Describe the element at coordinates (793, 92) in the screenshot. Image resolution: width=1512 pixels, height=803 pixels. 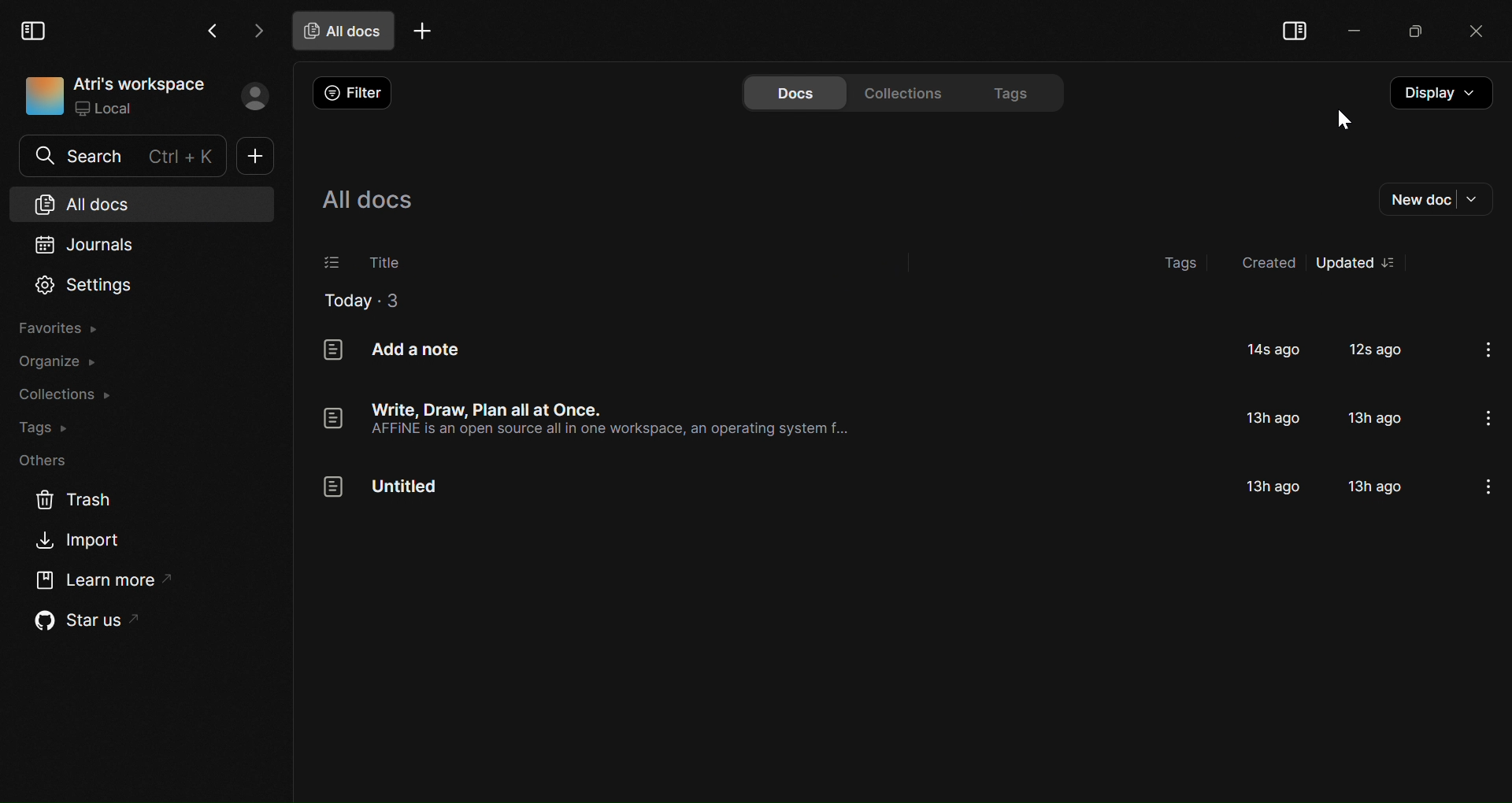
I see `Docs` at that location.